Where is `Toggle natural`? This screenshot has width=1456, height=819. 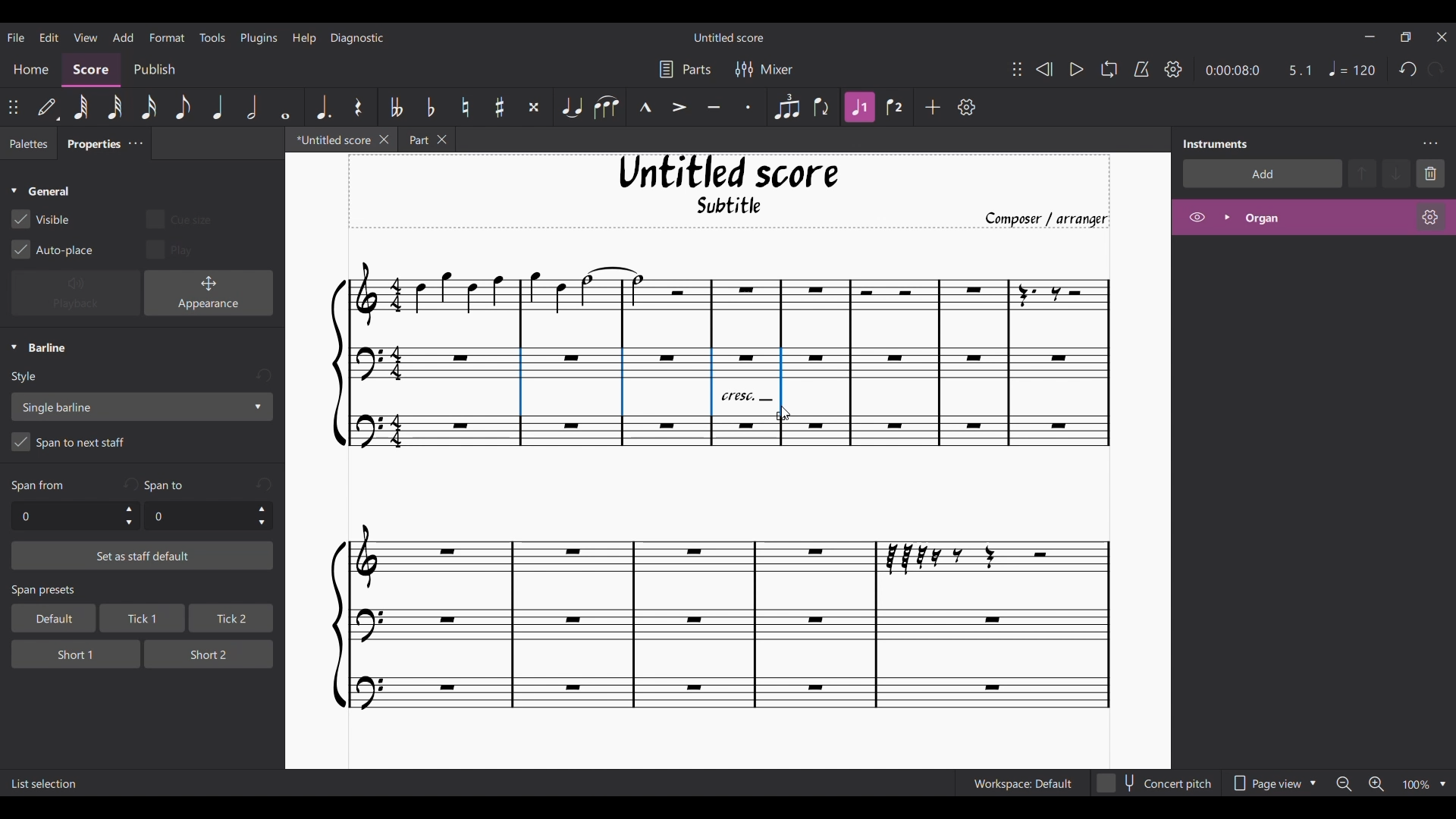 Toggle natural is located at coordinates (465, 107).